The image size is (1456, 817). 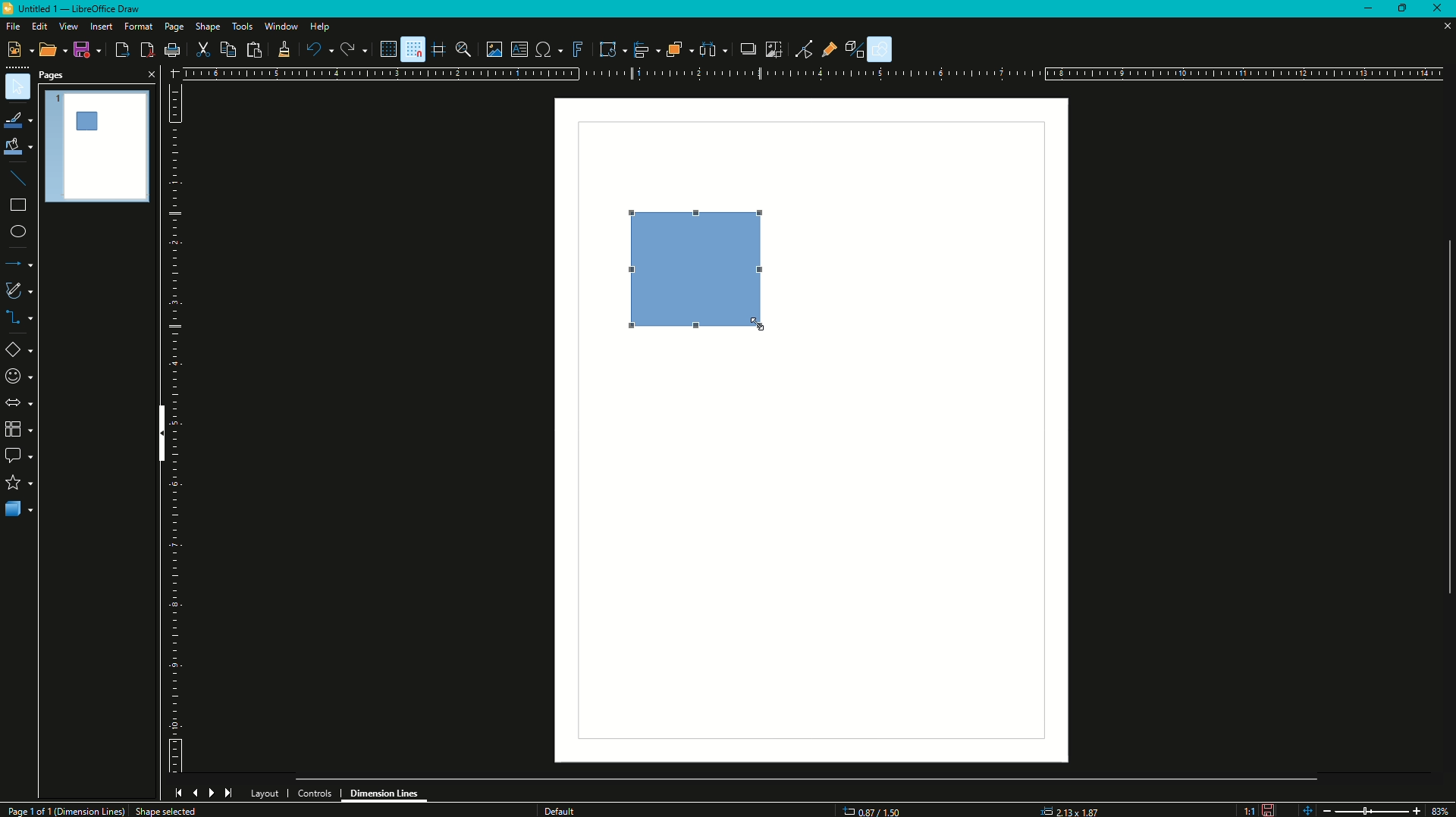 I want to click on Print, so click(x=172, y=52).